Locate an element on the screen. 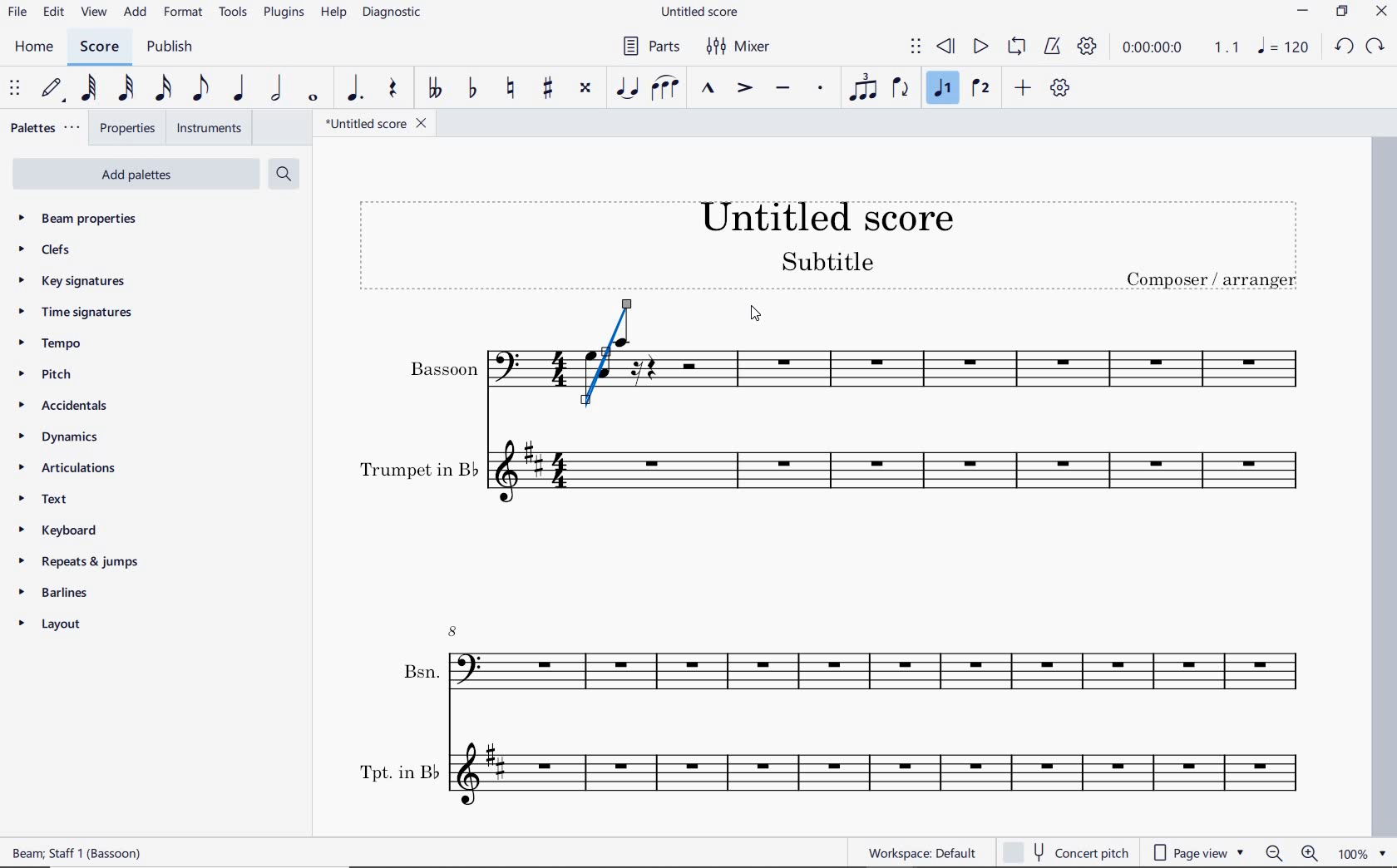 Image resolution: width=1397 pixels, height=868 pixels. UNDO is located at coordinates (1345, 47).